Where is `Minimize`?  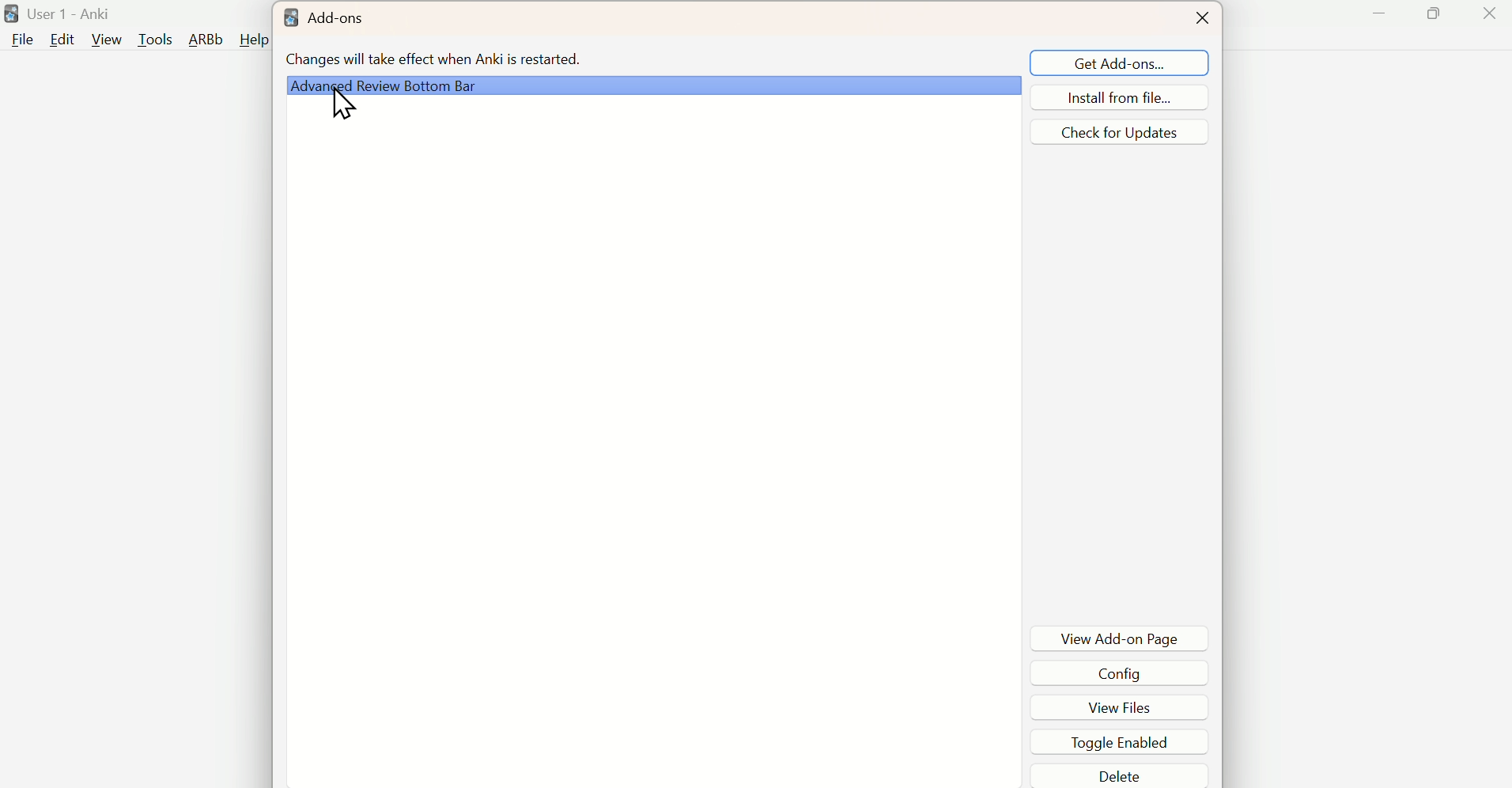 Minimize is located at coordinates (1378, 14).